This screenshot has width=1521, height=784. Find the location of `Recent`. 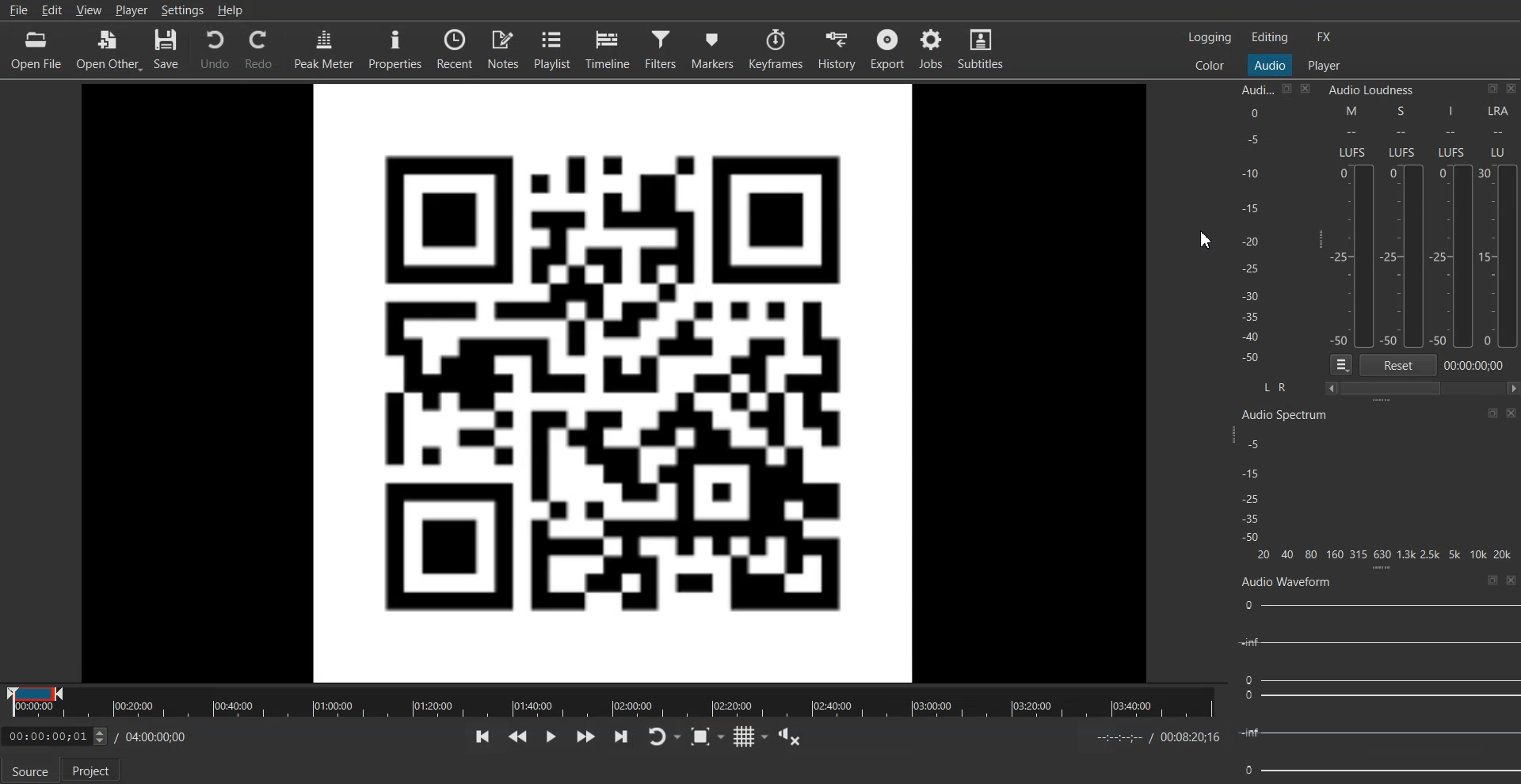

Recent is located at coordinates (455, 50).